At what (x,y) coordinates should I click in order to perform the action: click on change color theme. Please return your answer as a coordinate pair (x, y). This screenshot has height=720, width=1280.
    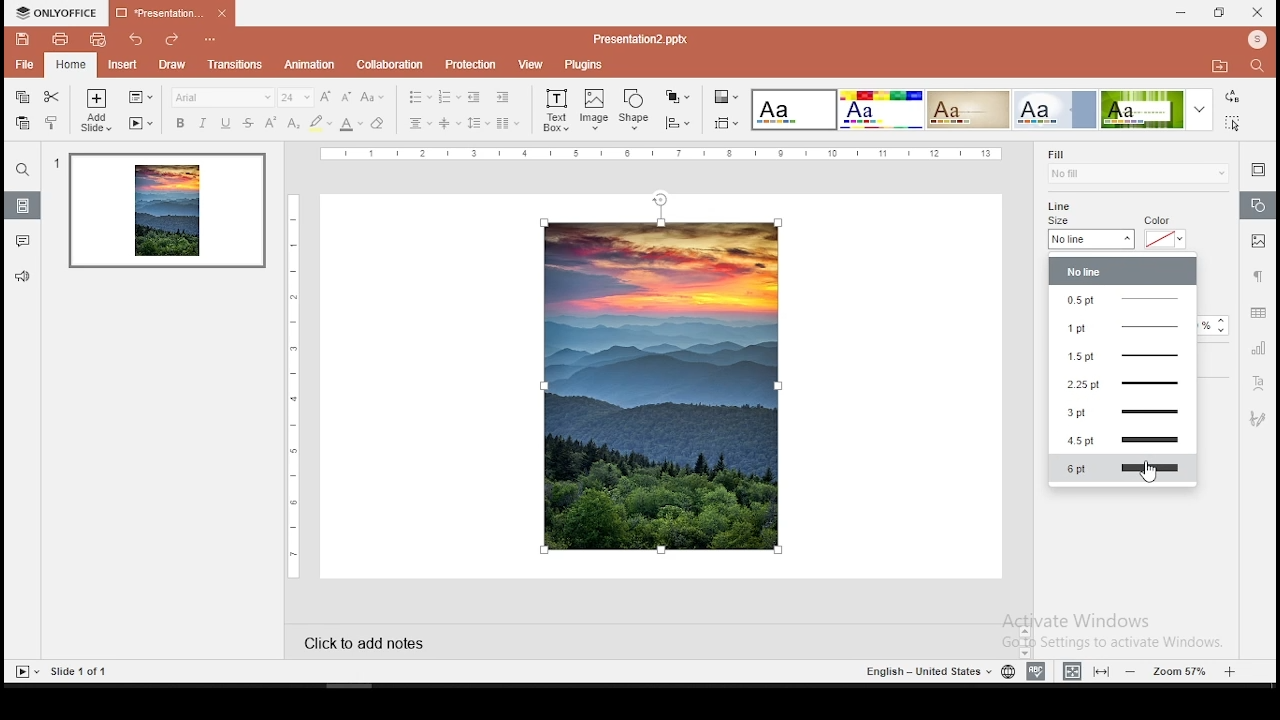
    Looking at the image, I should click on (726, 96).